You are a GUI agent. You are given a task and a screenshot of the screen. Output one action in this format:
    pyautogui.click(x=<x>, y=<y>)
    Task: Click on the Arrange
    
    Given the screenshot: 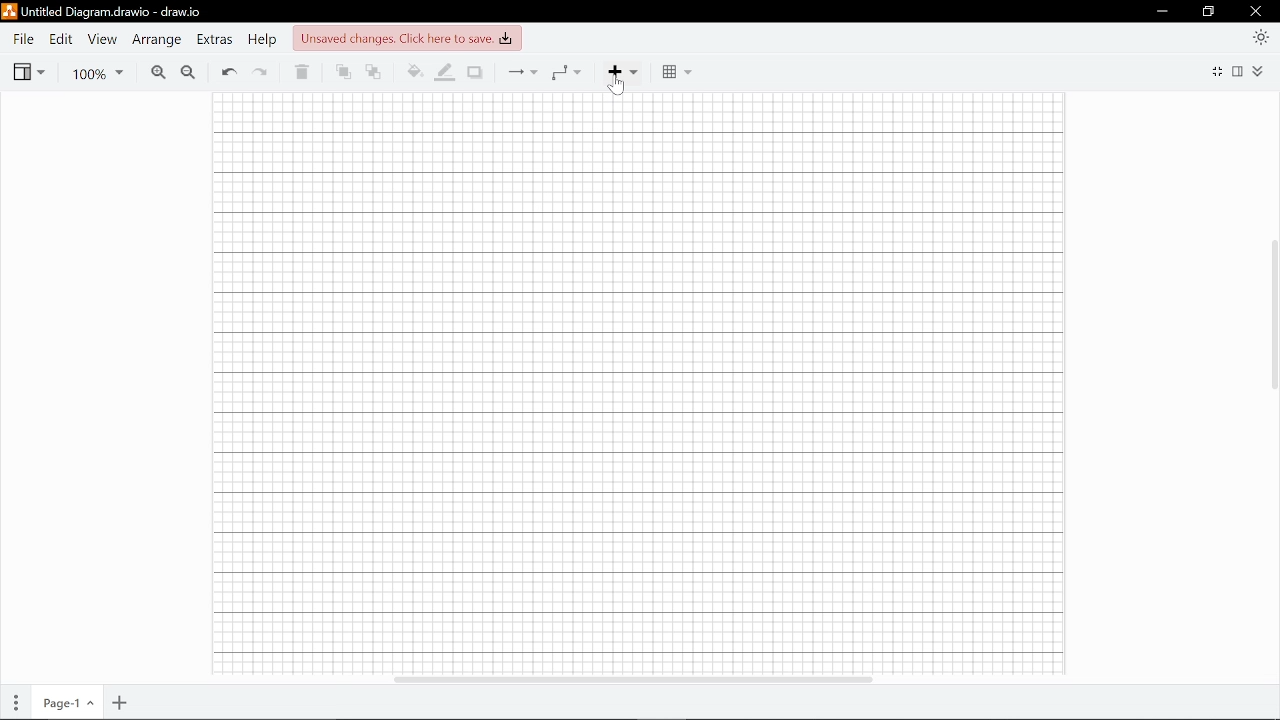 What is the action you would take?
    pyautogui.click(x=154, y=41)
    